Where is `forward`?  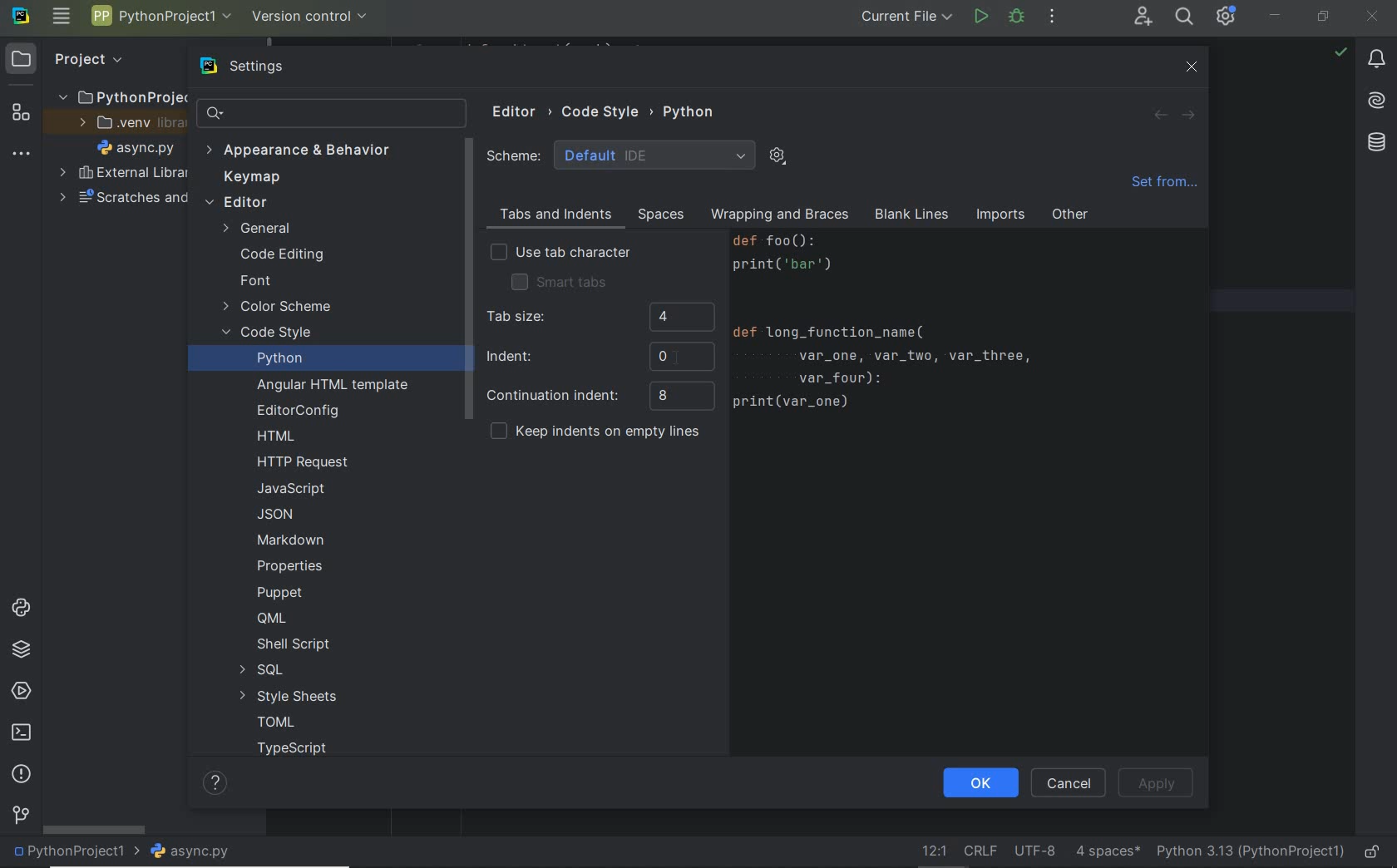
forward is located at coordinates (1186, 116).